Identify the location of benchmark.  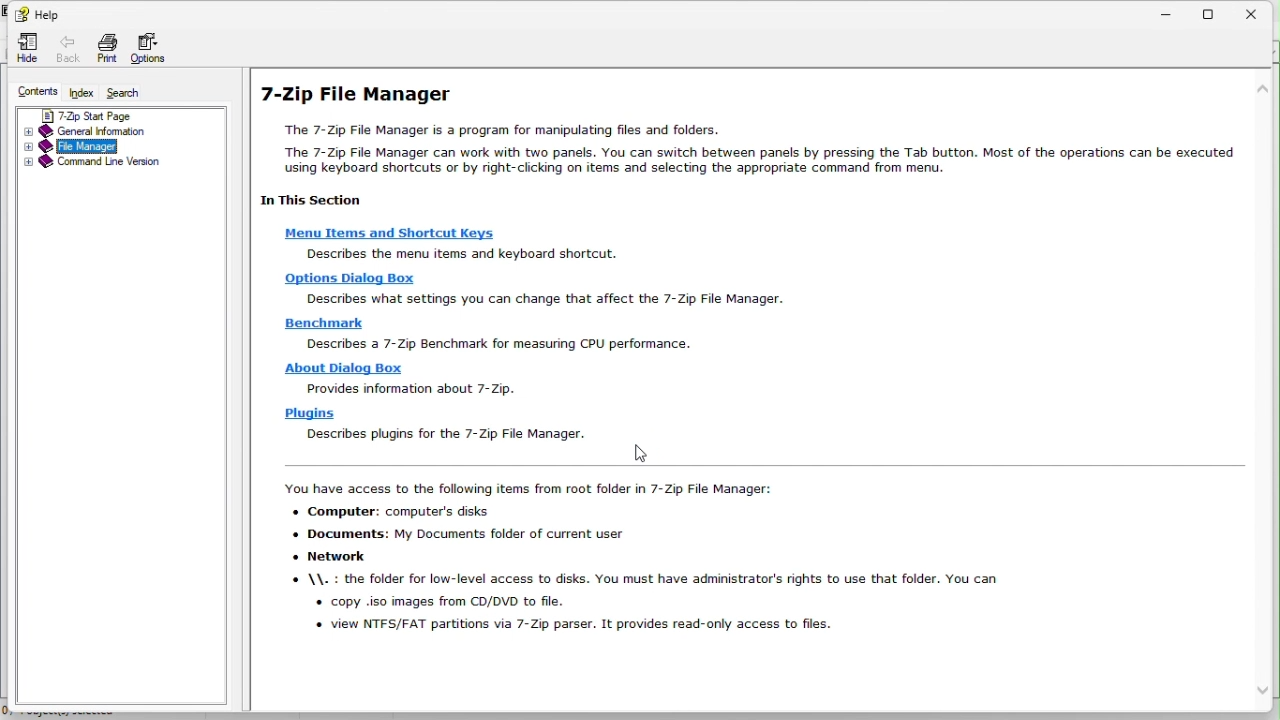
(327, 324).